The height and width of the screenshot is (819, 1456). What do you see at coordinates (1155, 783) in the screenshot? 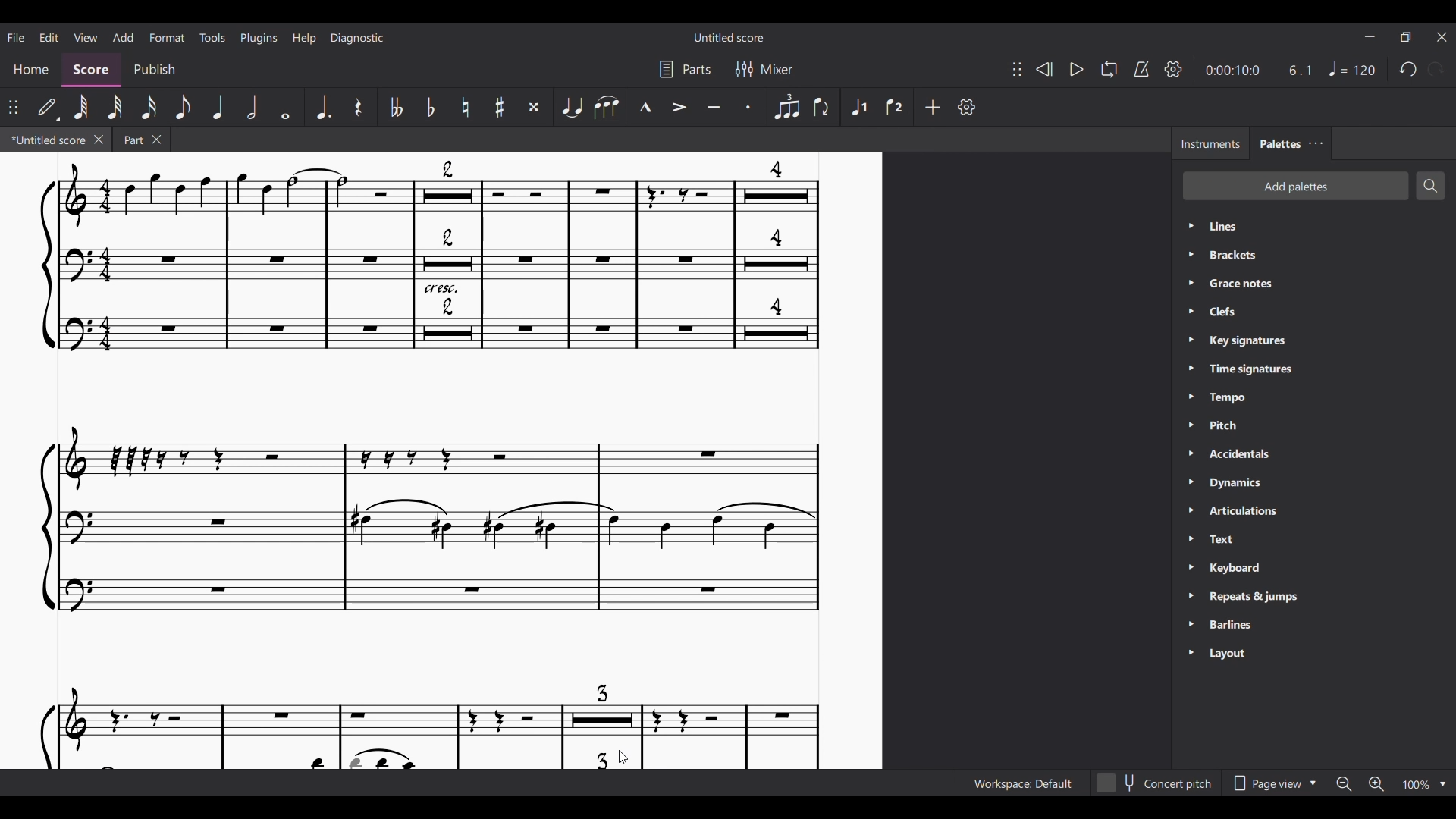
I see `Toggle for Concert pitch` at bounding box center [1155, 783].